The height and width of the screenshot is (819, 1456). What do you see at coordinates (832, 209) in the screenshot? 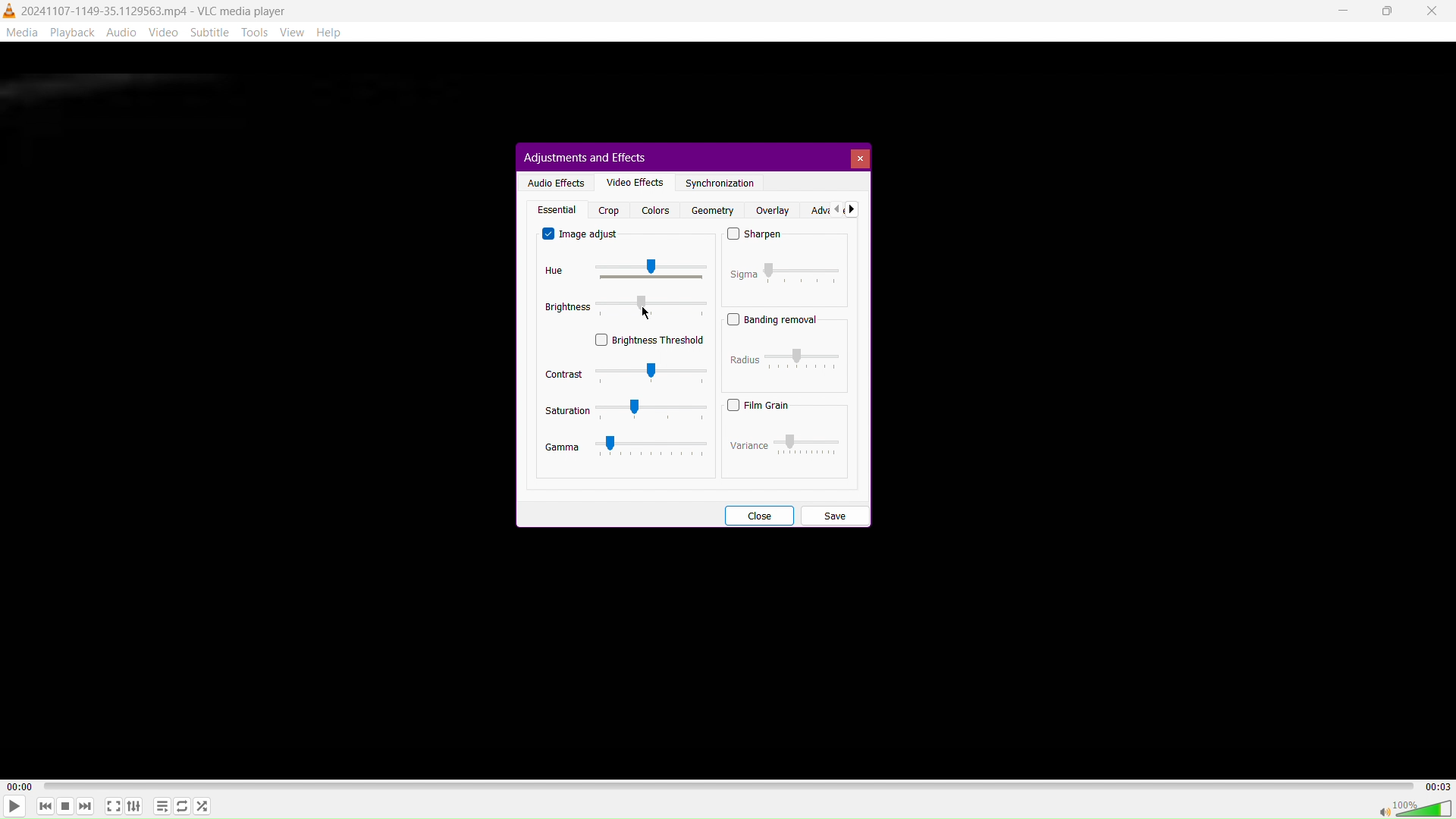
I see `Advanced` at bounding box center [832, 209].